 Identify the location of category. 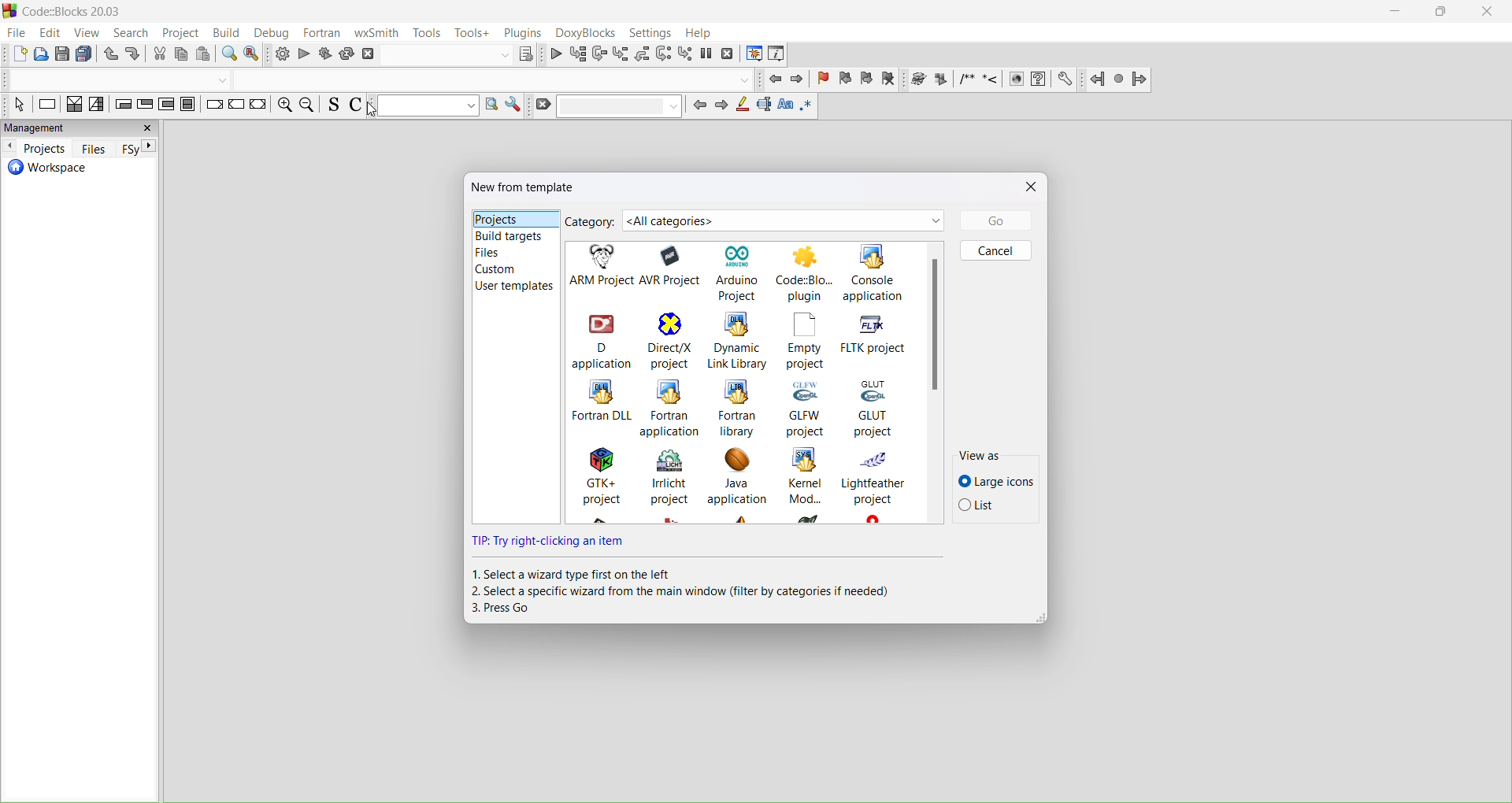
(591, 223).